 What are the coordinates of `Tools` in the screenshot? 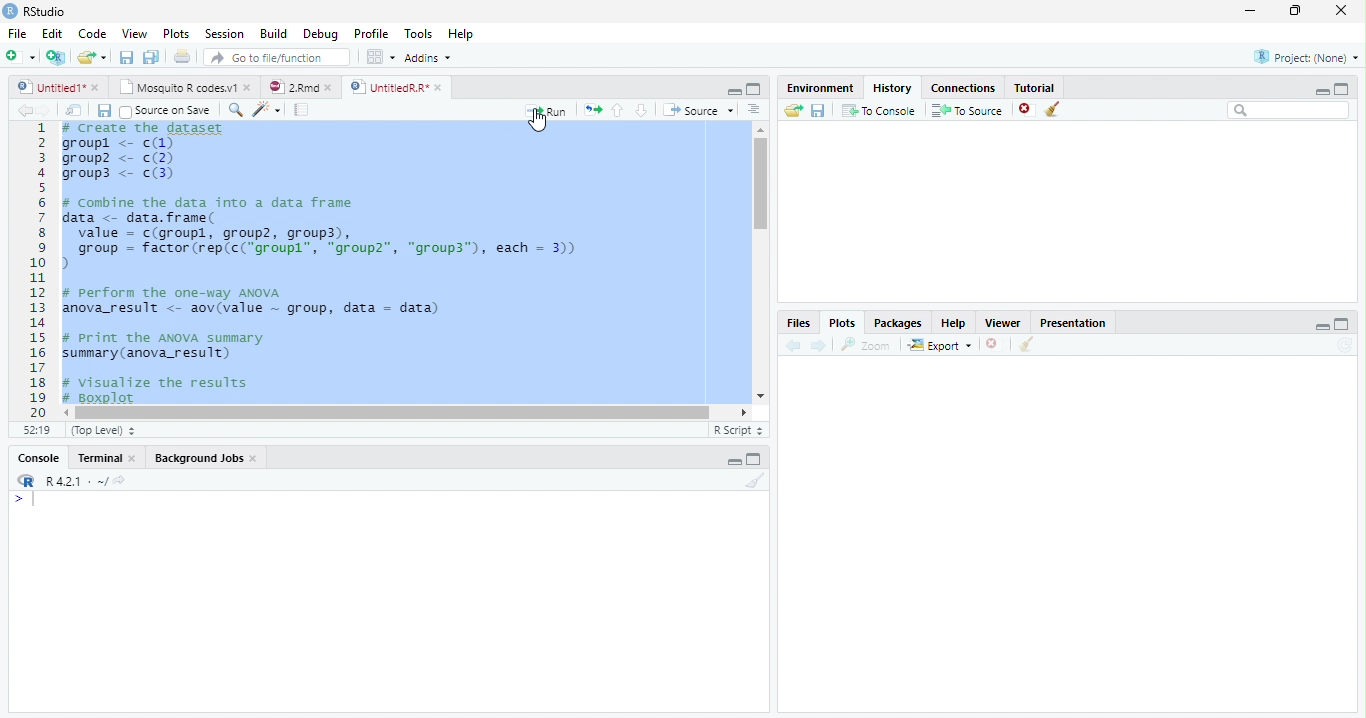 It's located at (420, 33).